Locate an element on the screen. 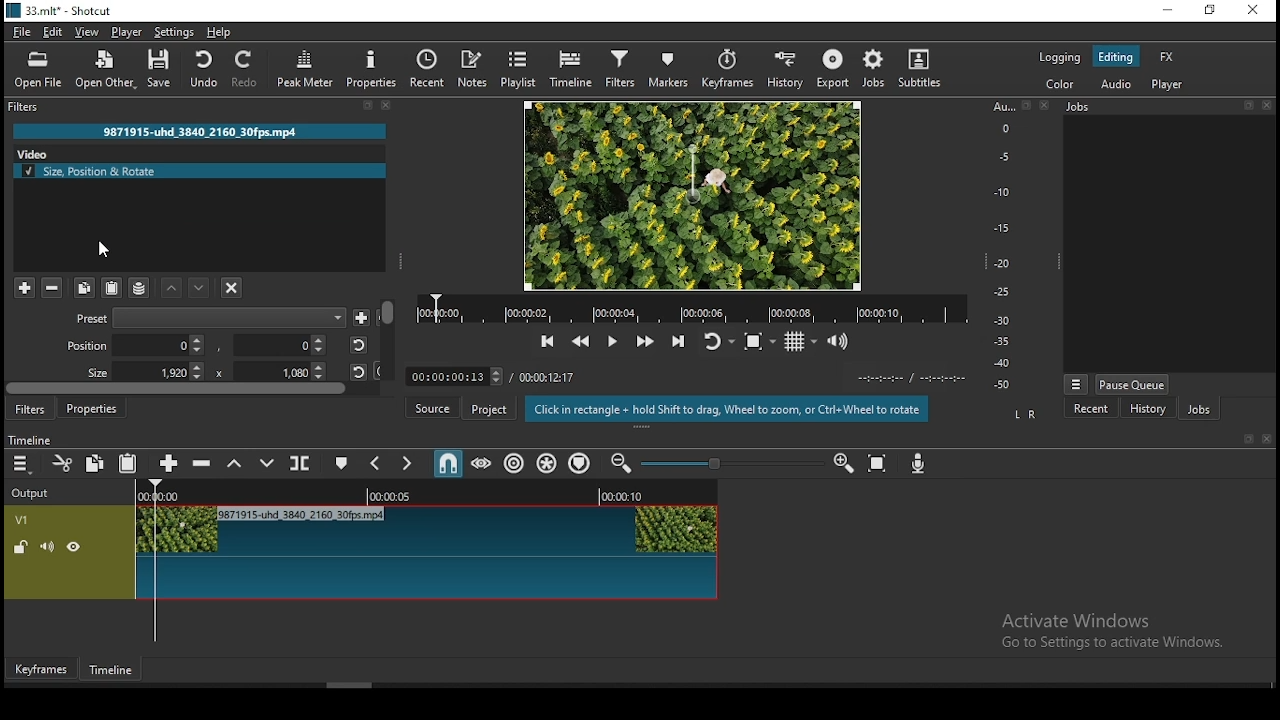  -5 is located at coordinates (1007, 155).